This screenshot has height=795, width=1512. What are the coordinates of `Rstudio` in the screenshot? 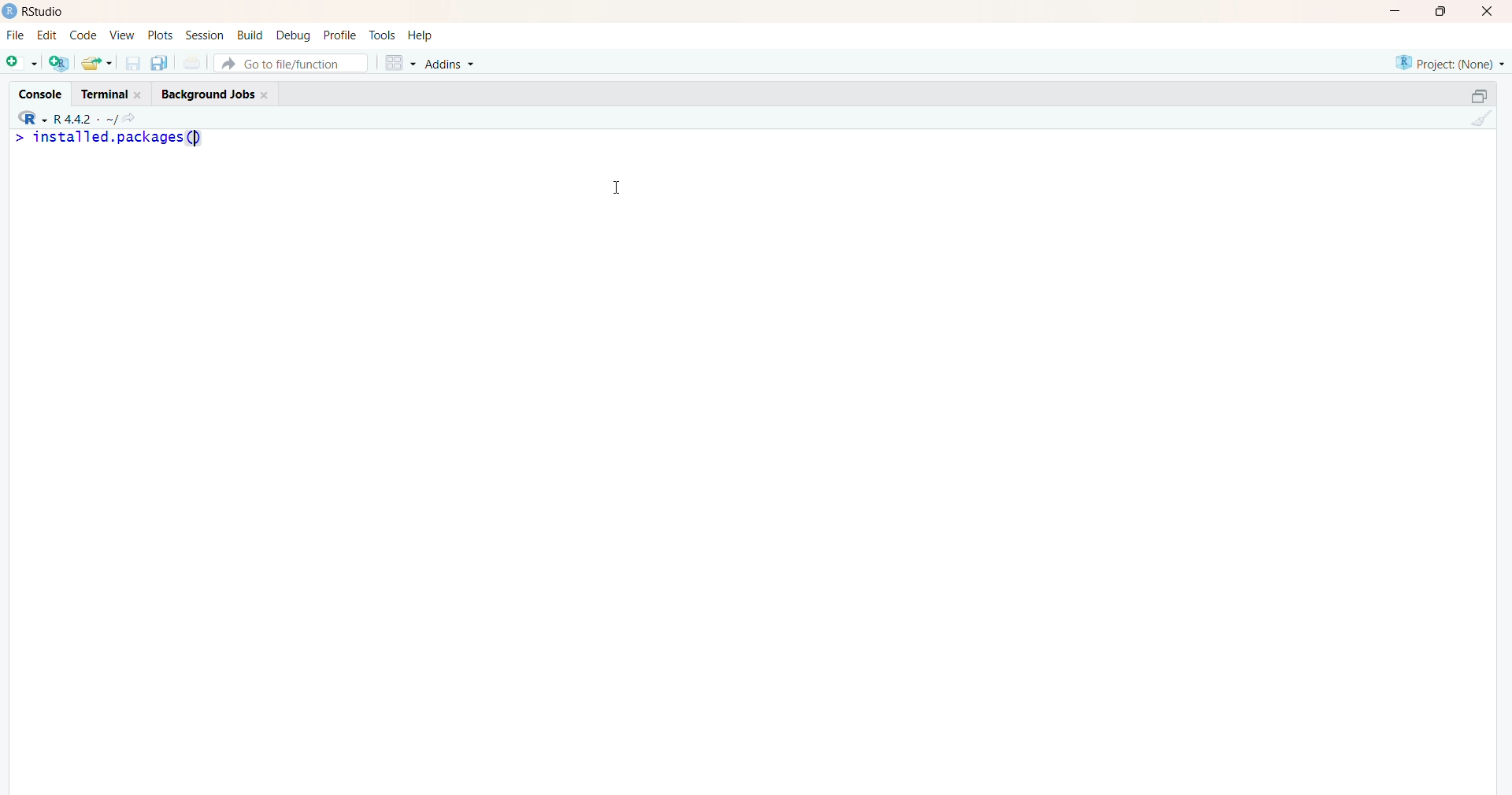 It's located at (35, 10).